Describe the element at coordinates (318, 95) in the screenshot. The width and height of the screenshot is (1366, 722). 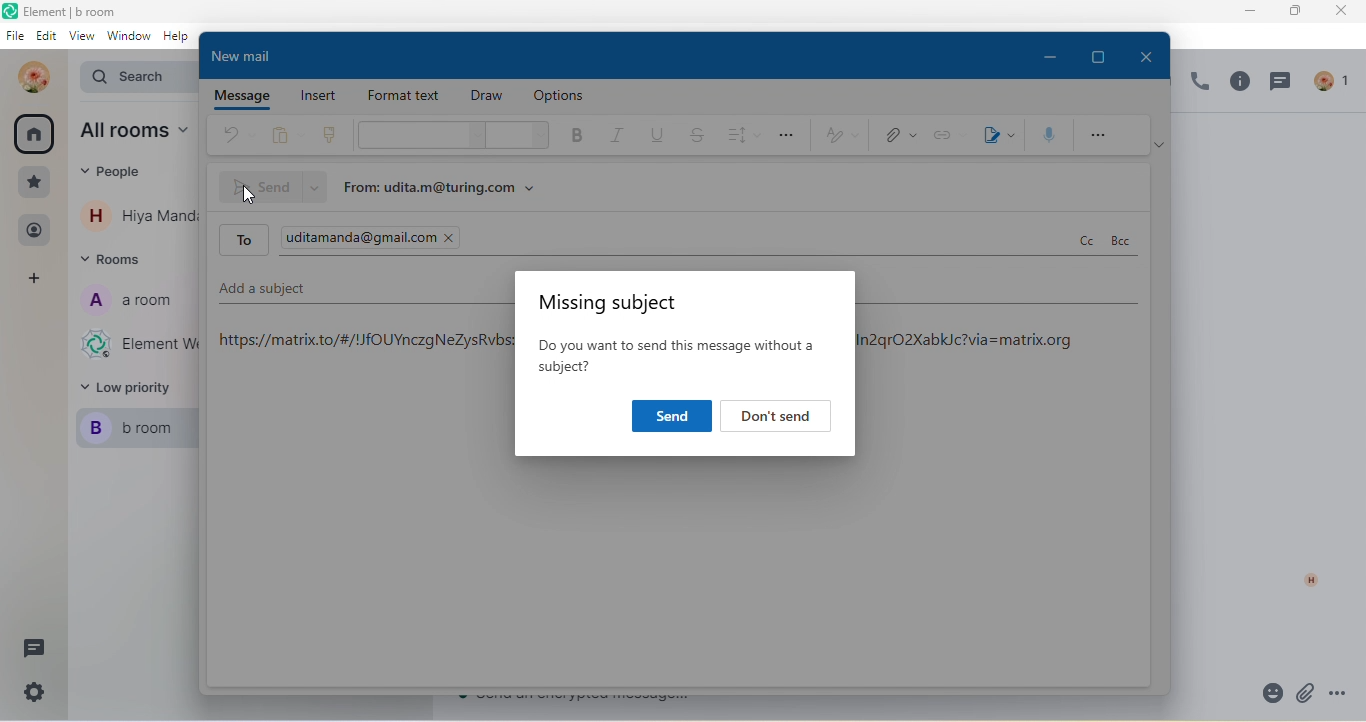
I see `insert` at that location.